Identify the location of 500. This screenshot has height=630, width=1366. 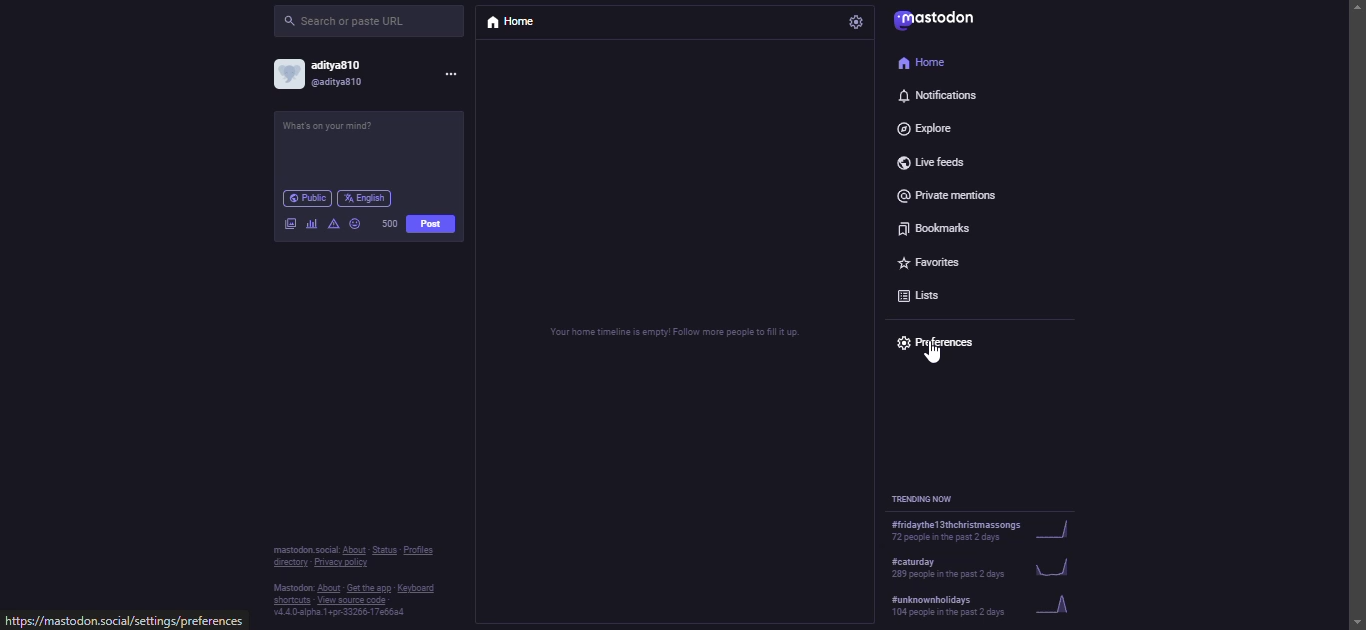
(389, 221).